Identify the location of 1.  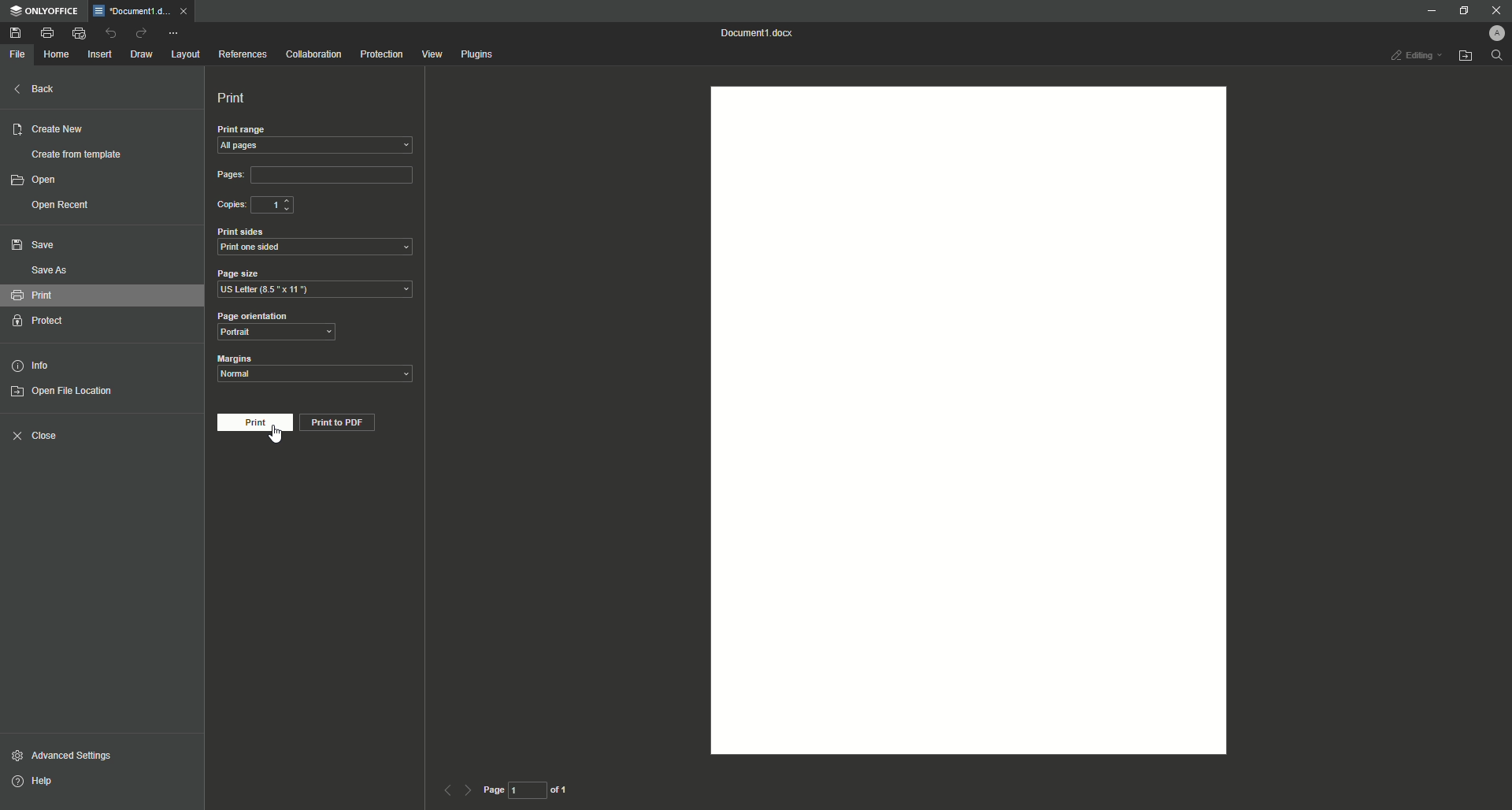
(277, 204).